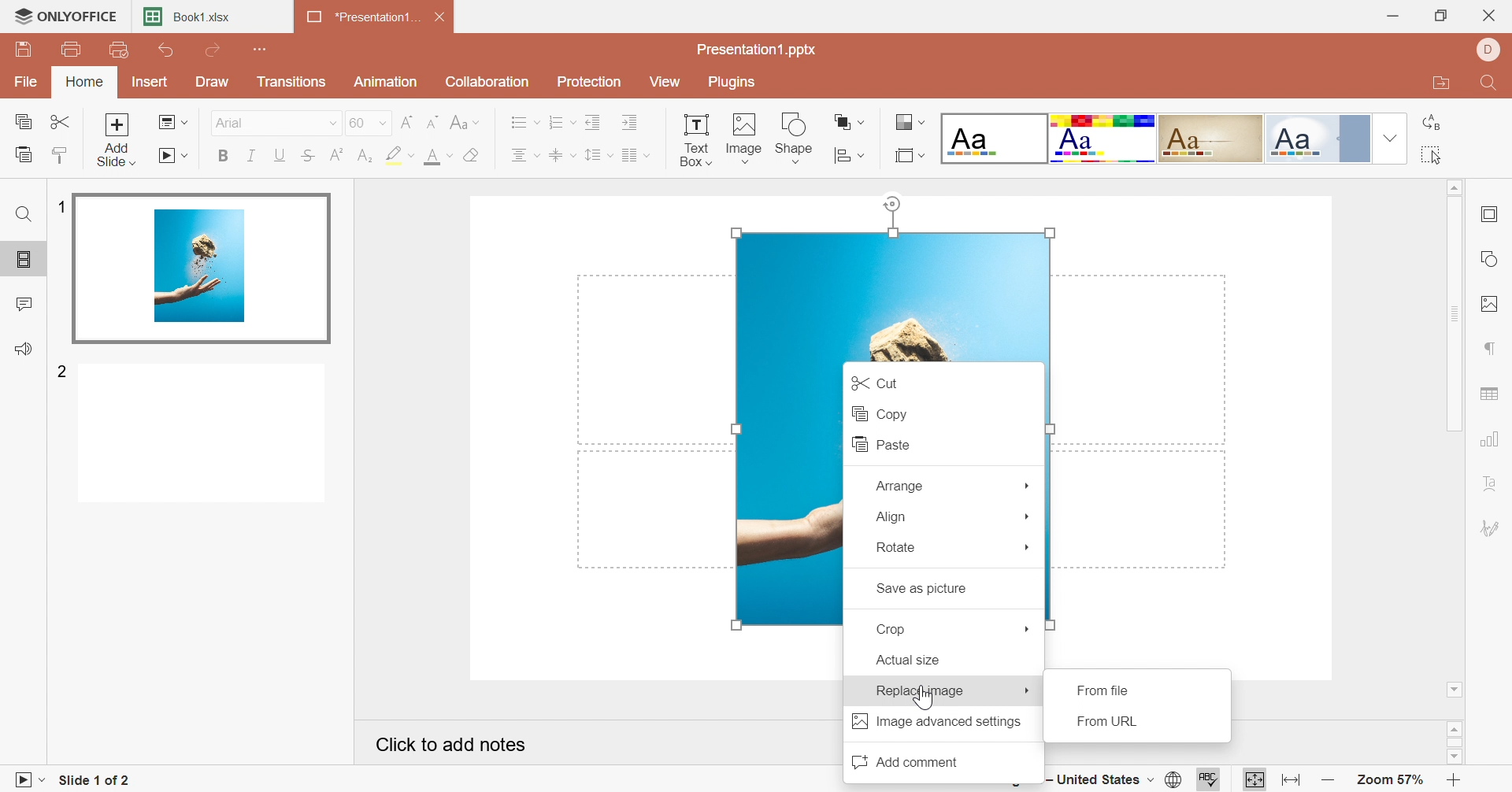  I want to click on signature settings, so click(1495, 529).